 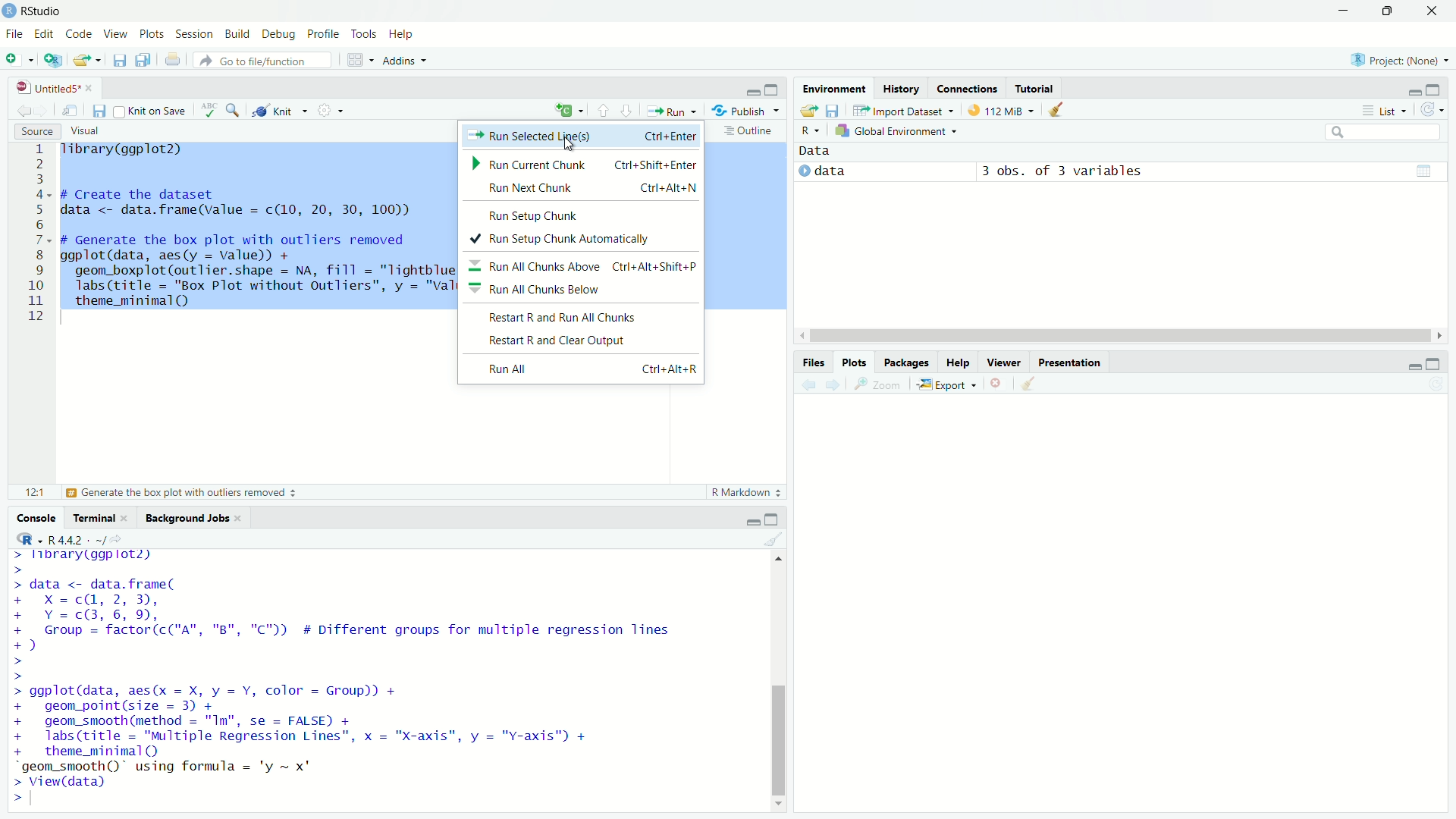 What do you see at coordinates (1036, 86) in the screenshot?
I see `Tutorial` at bounding box center [1036, 86].